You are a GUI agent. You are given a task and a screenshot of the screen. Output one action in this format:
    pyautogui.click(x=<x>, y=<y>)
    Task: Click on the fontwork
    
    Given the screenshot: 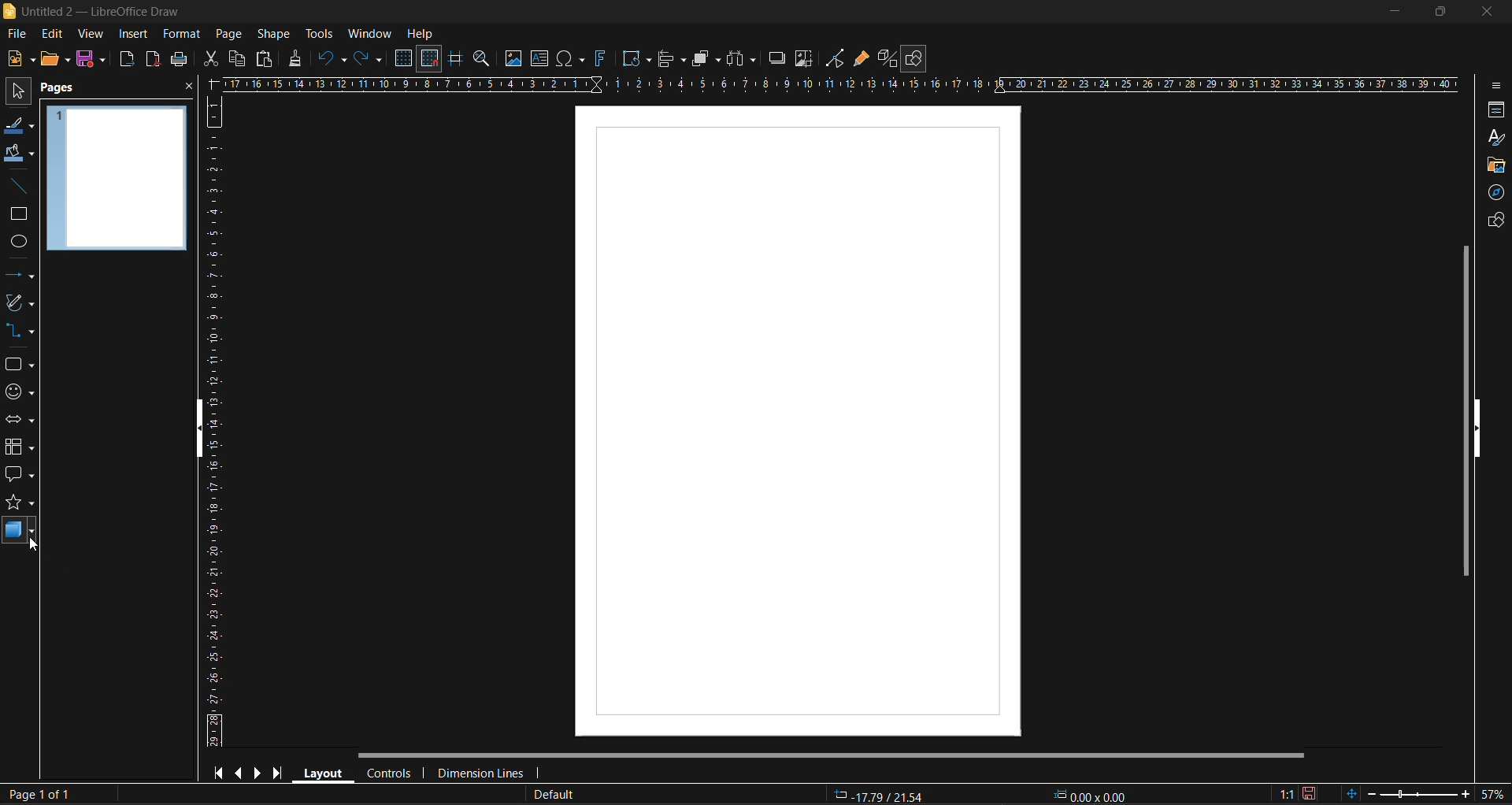 What is the action you would take?
    pyautogui.click(x=603, y=57)
    